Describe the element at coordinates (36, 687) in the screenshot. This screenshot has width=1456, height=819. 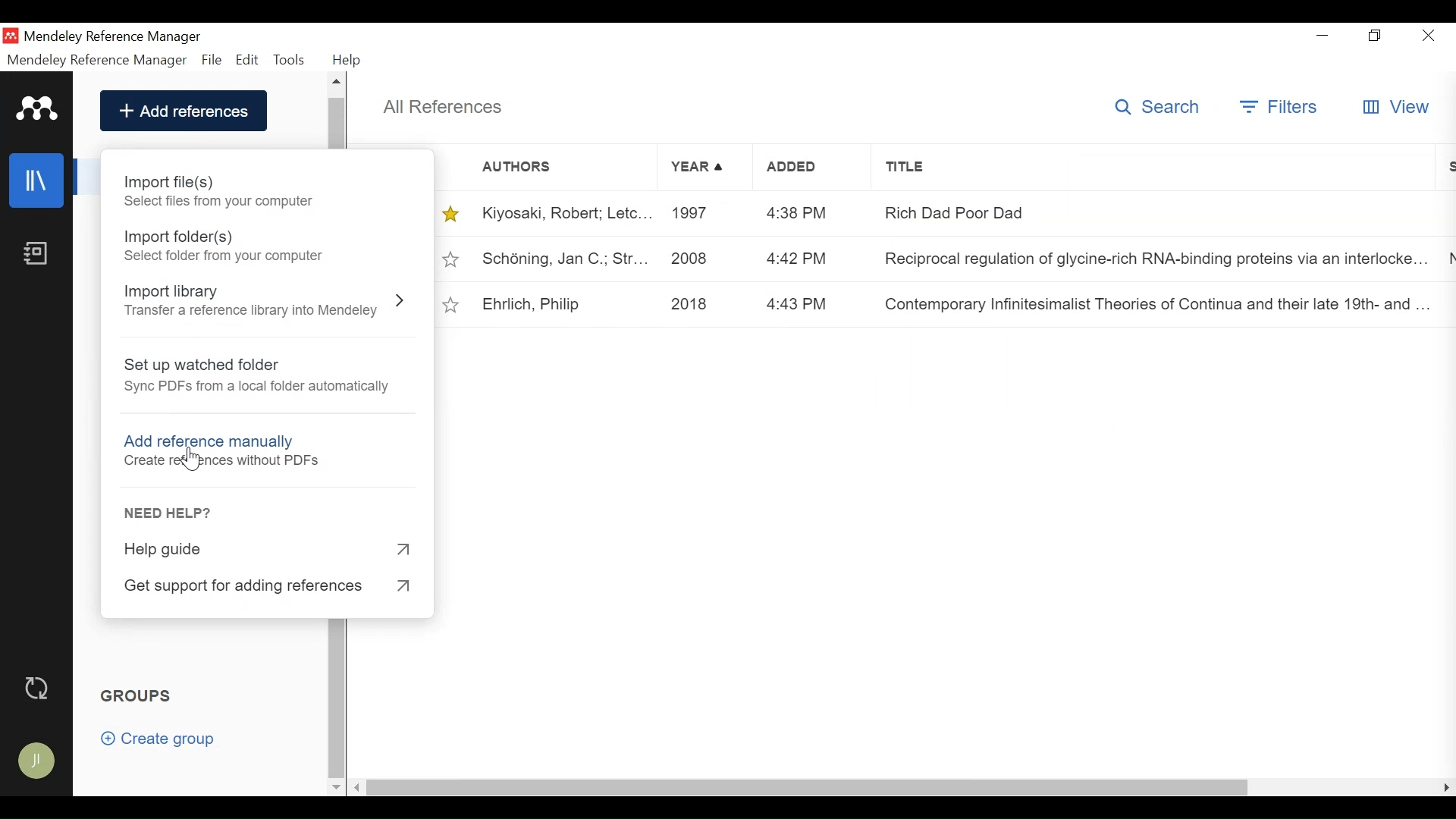
I see `Sync` at that location.